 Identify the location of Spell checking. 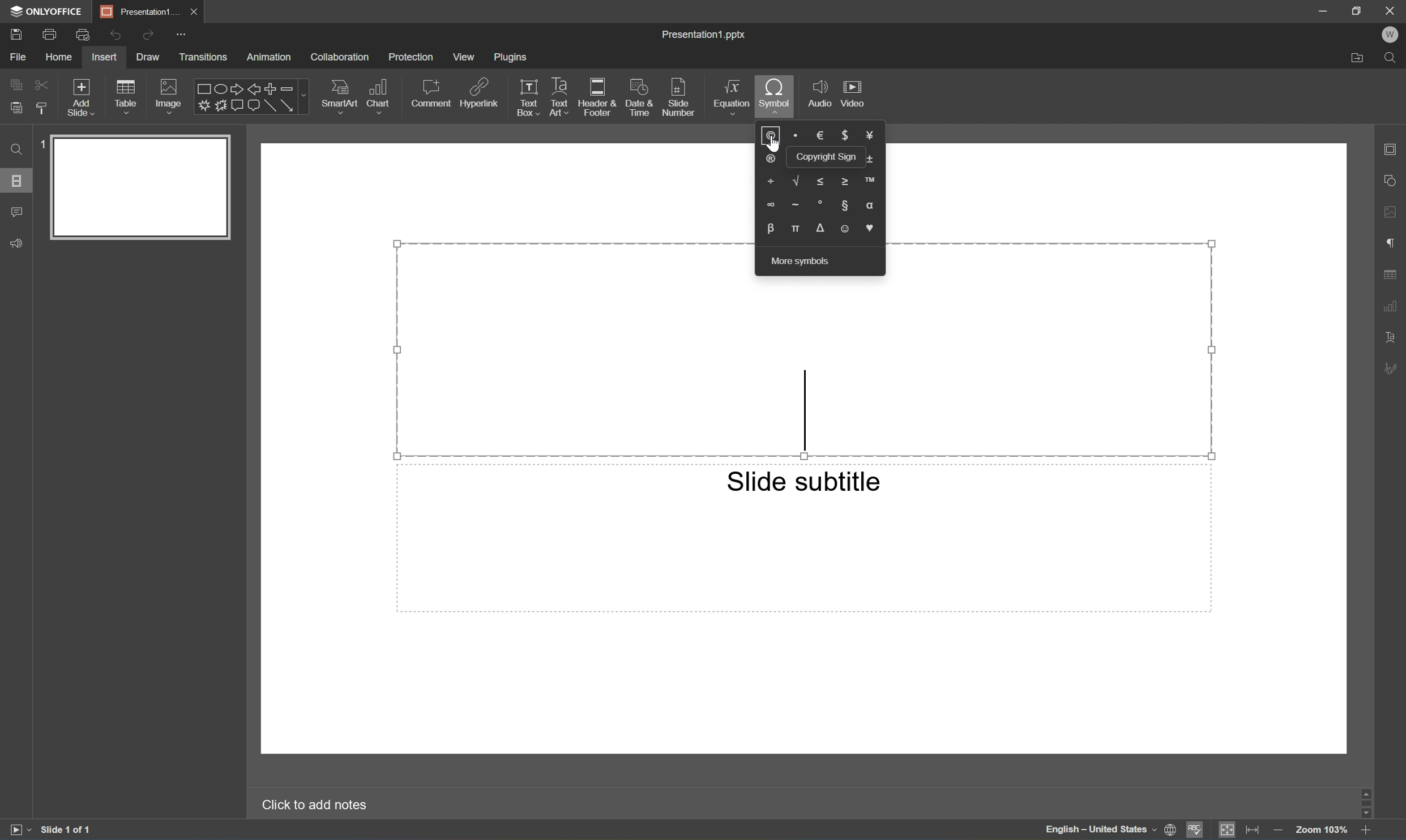
(1198, 830).